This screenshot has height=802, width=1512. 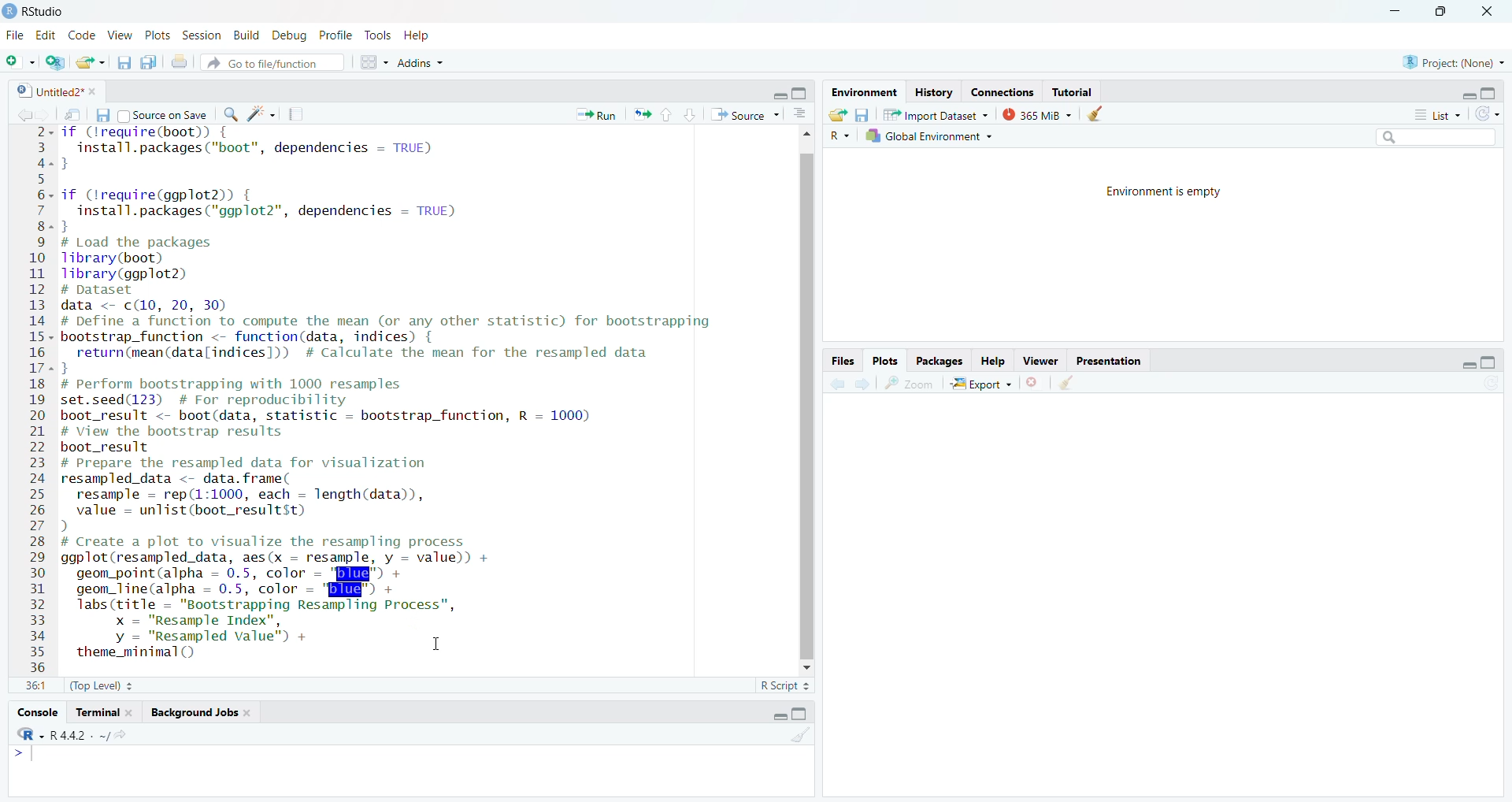 I want to click on Plots, so click(x=884, y=359).